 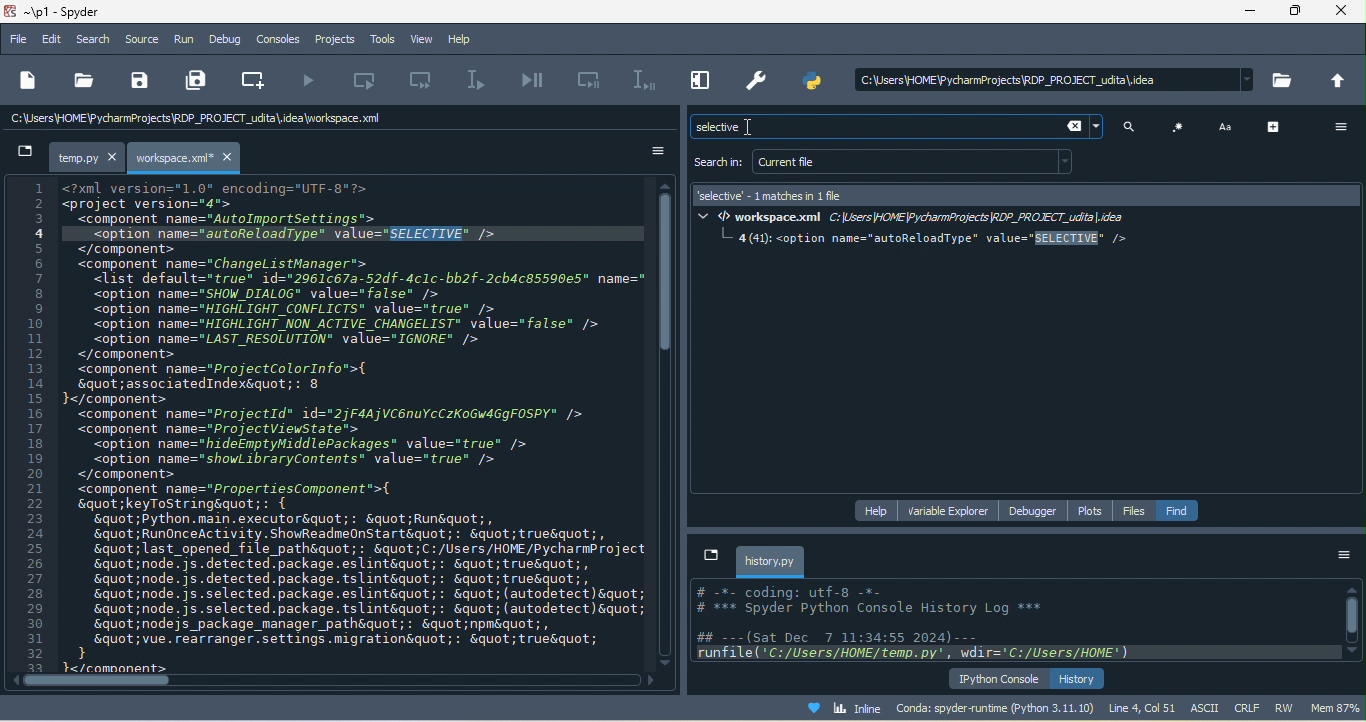 I want to click on option, so click(x=1337, y=127).